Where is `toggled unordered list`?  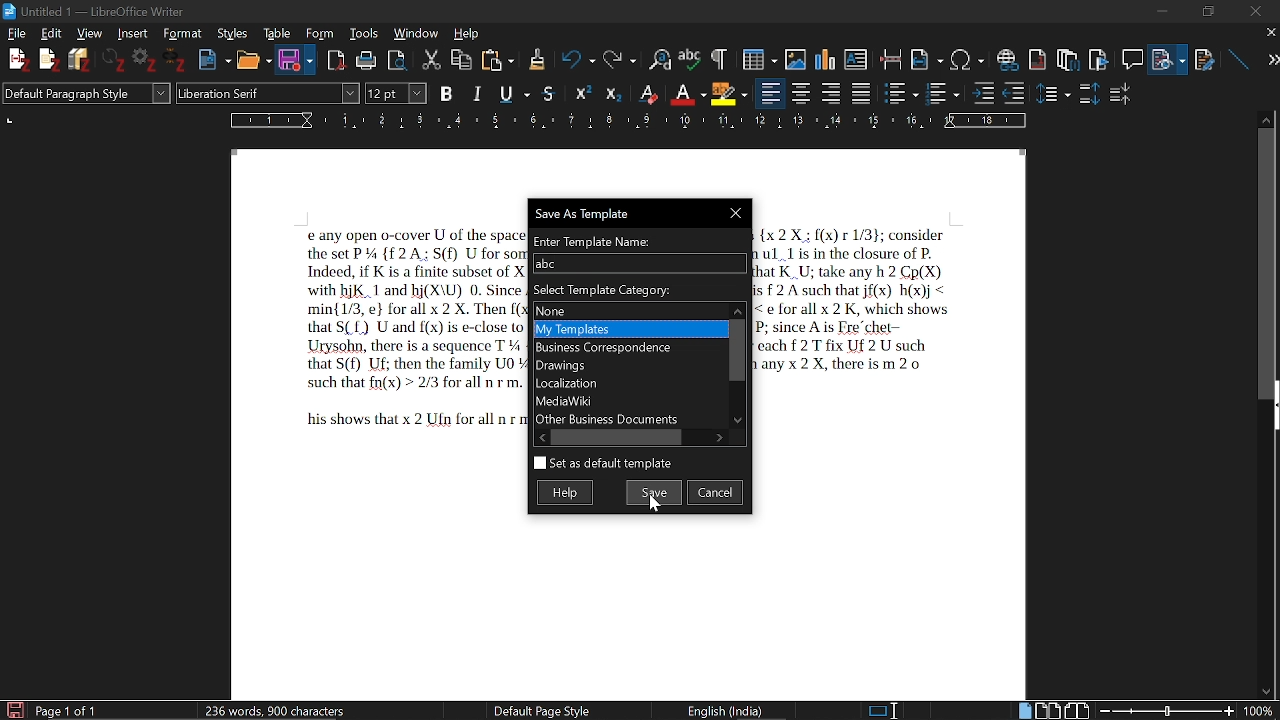
toggled unordered list is located at coordinates (901, 93).